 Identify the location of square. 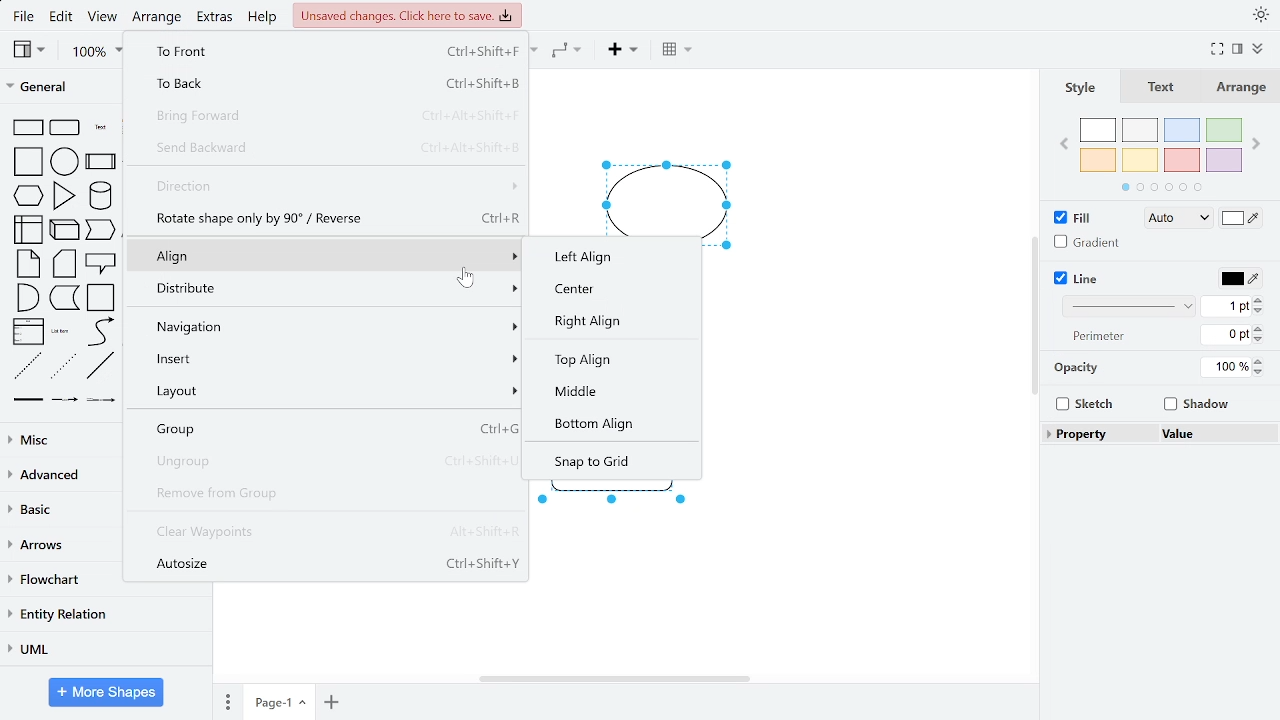
(27, 162).